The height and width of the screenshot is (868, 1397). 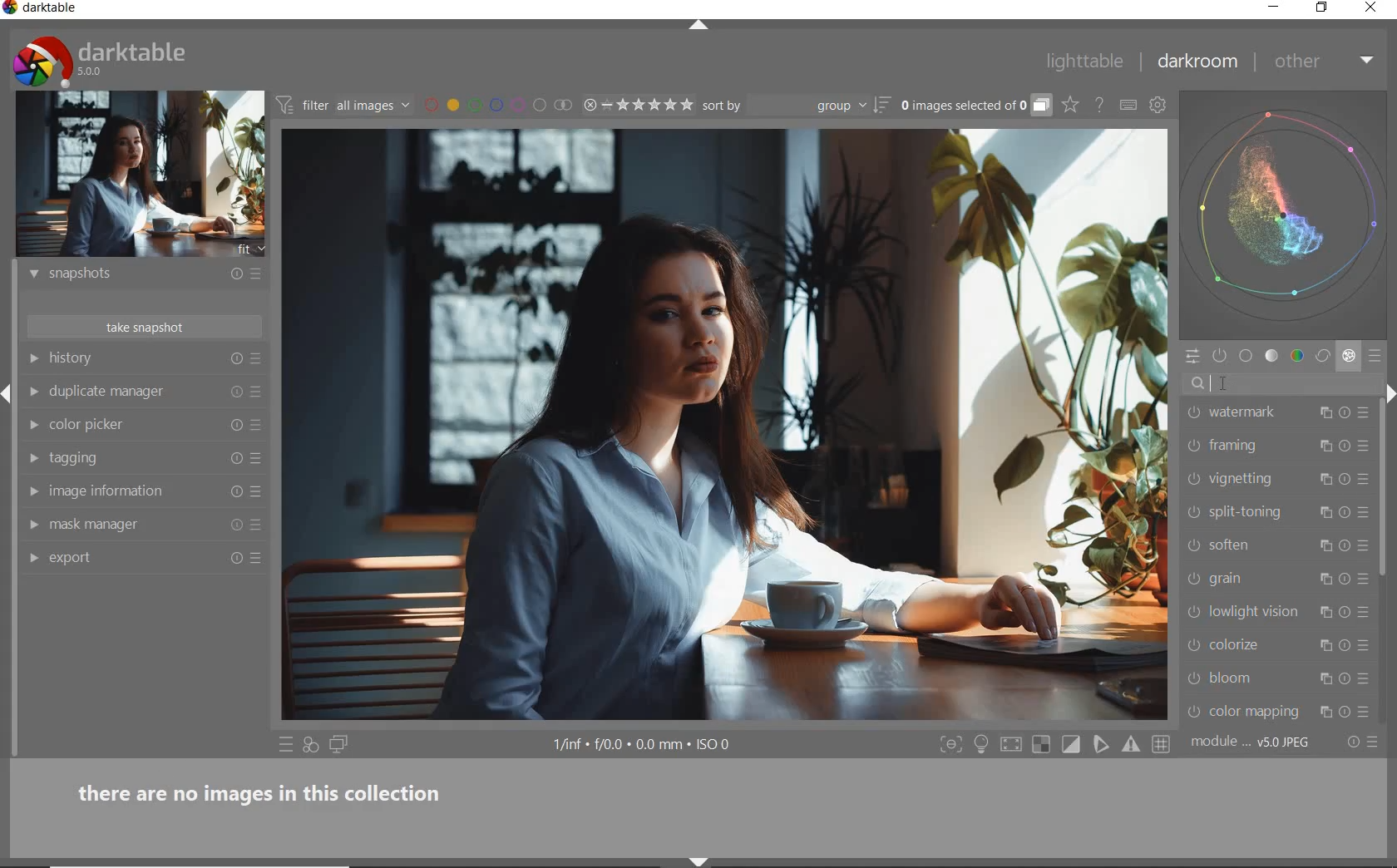 What do you see at coordinates (1345, 448) in the screenshot?
I see `` at bounding box center [1345, 448].